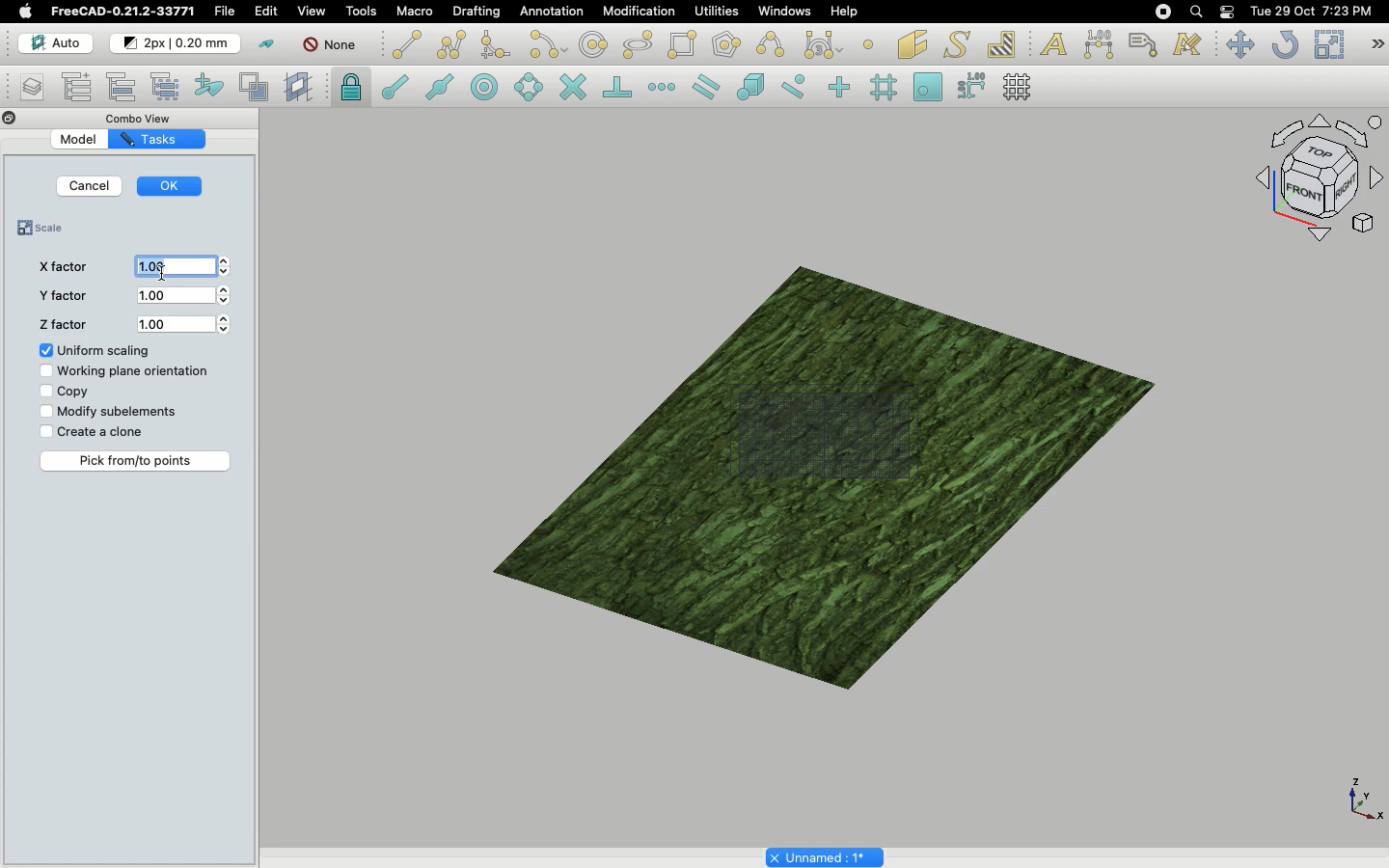 Image resolution: width=1389 pixels, height=868 pixels. What do you see at coordinates (614, 86) in the screenshot?
I see `Snap perpendicular` at bounding box center [614, 86].